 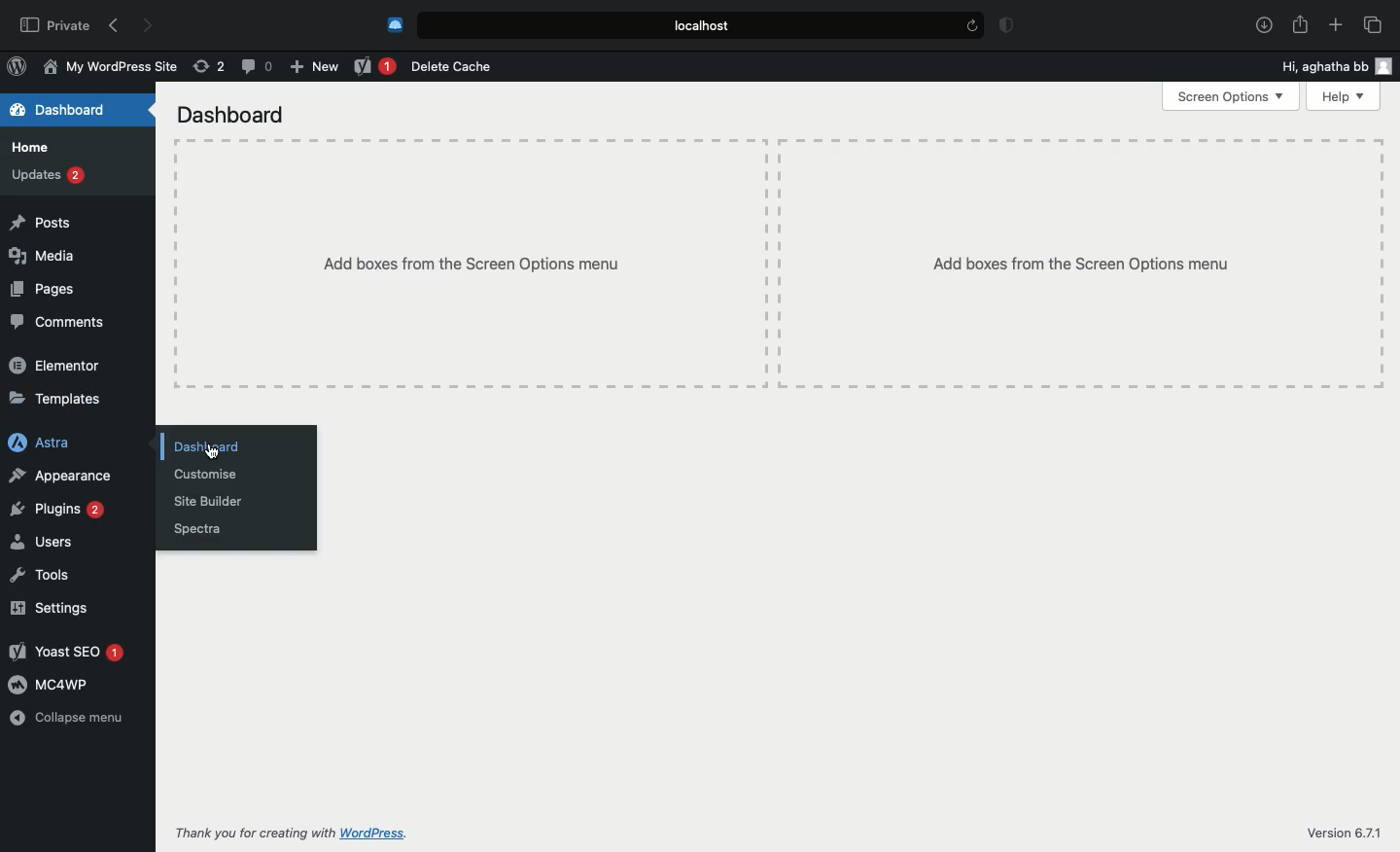 I want to click on Home, so click(x=33, y=148).